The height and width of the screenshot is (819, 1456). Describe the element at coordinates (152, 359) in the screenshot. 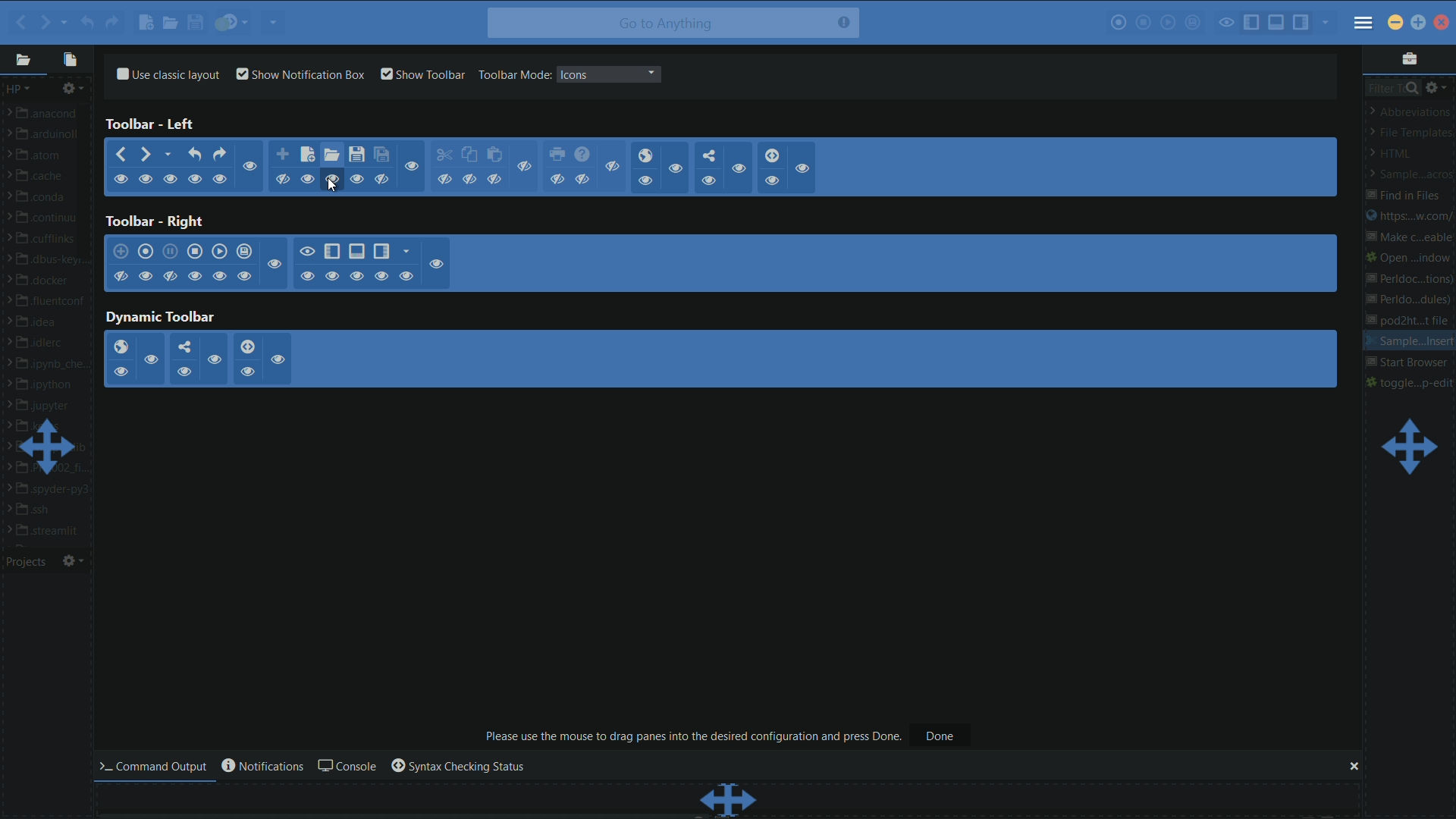

I see `hide/show` at that location.